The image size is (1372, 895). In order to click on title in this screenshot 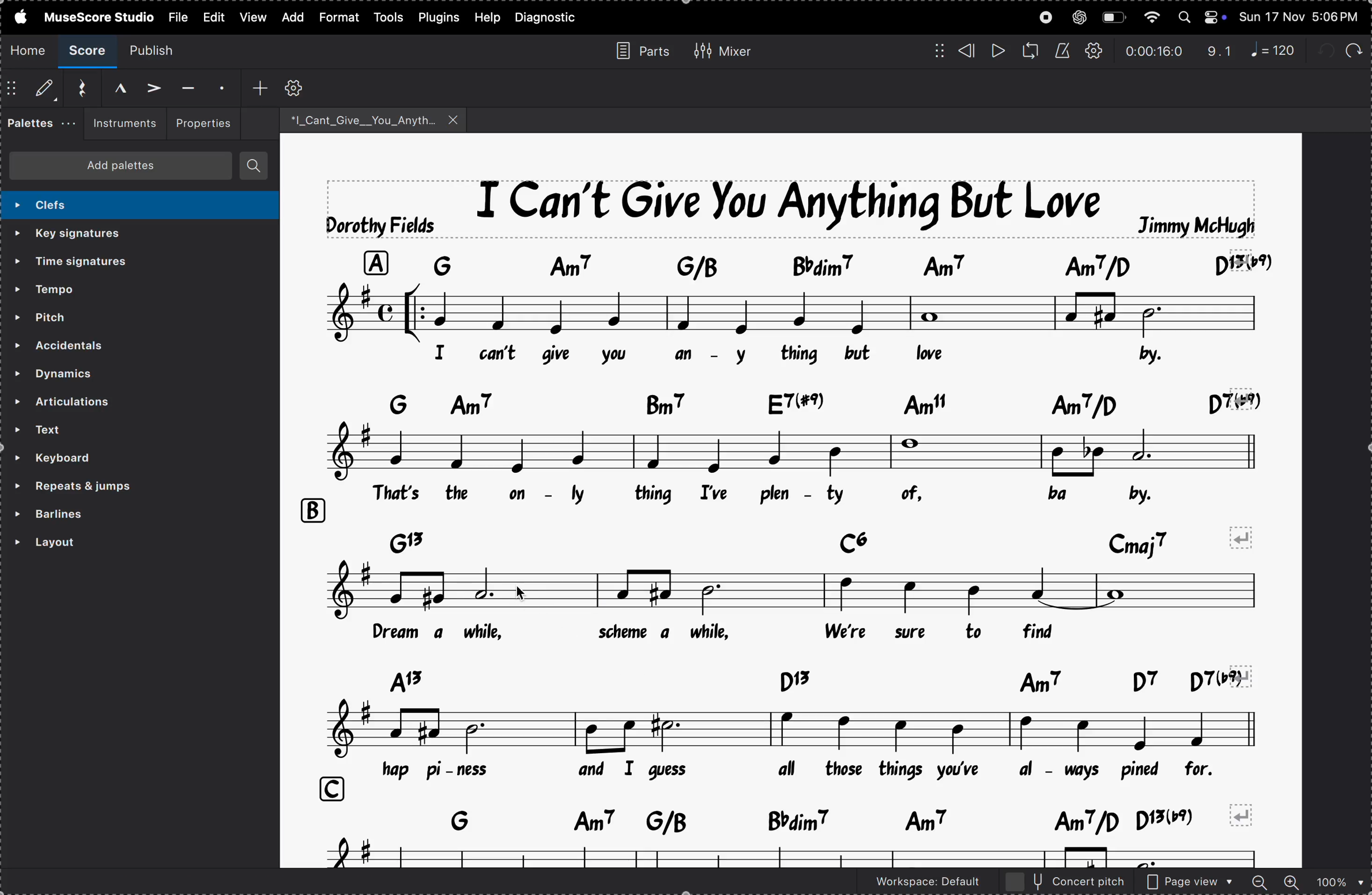, I will do `click(793, 207)`.